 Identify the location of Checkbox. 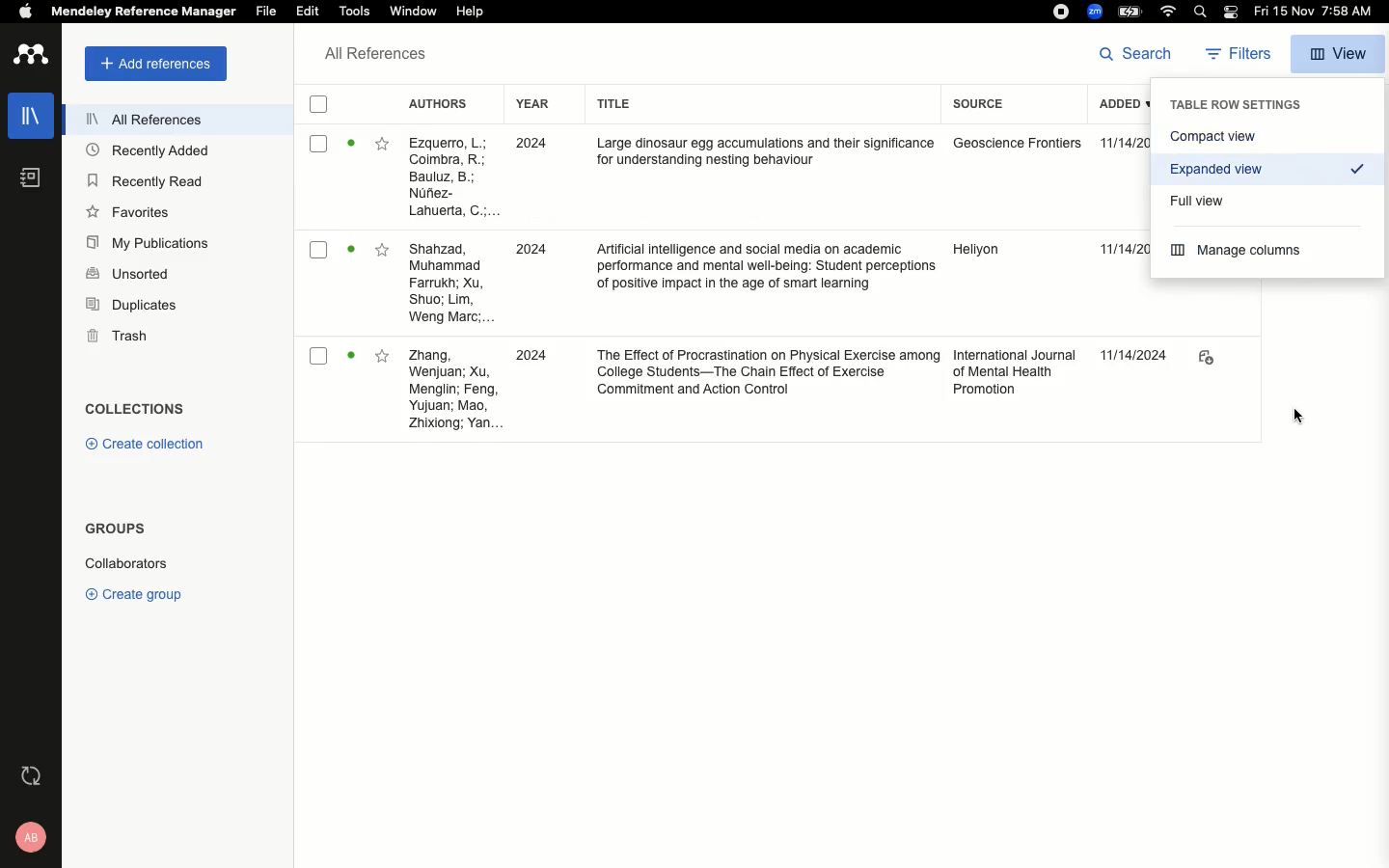
(319, 143).